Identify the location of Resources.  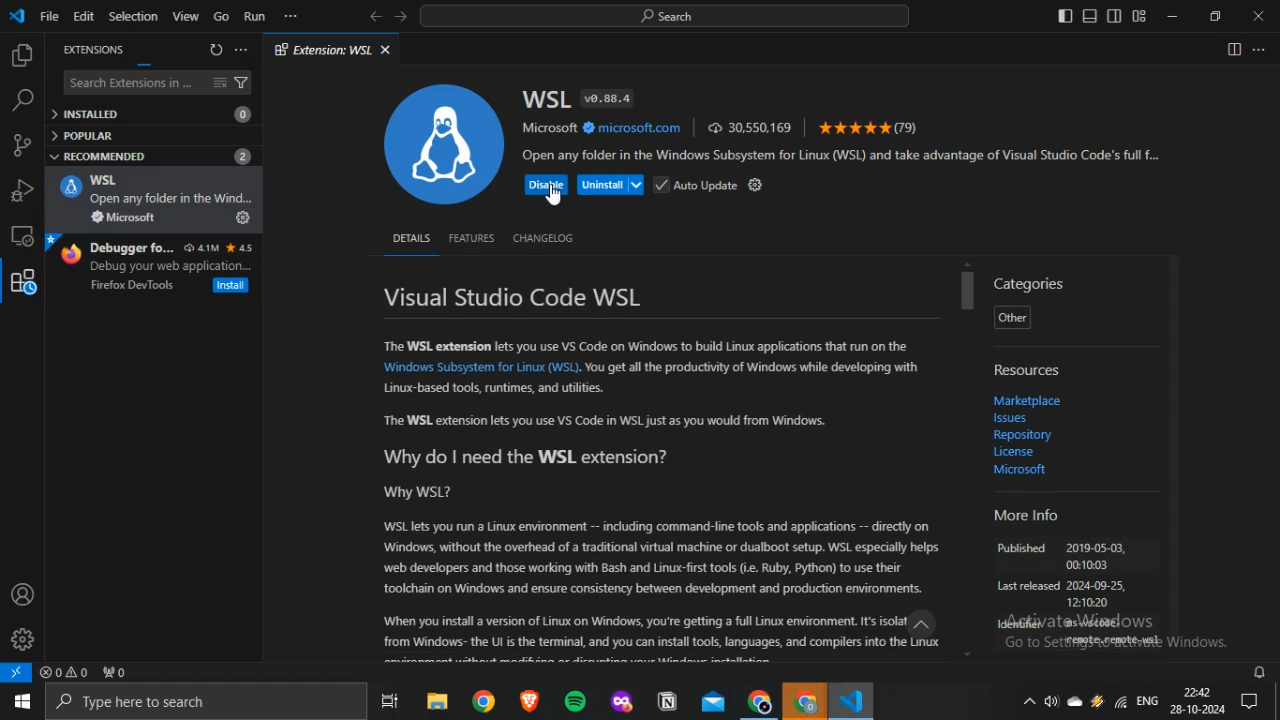
(1029, 370).